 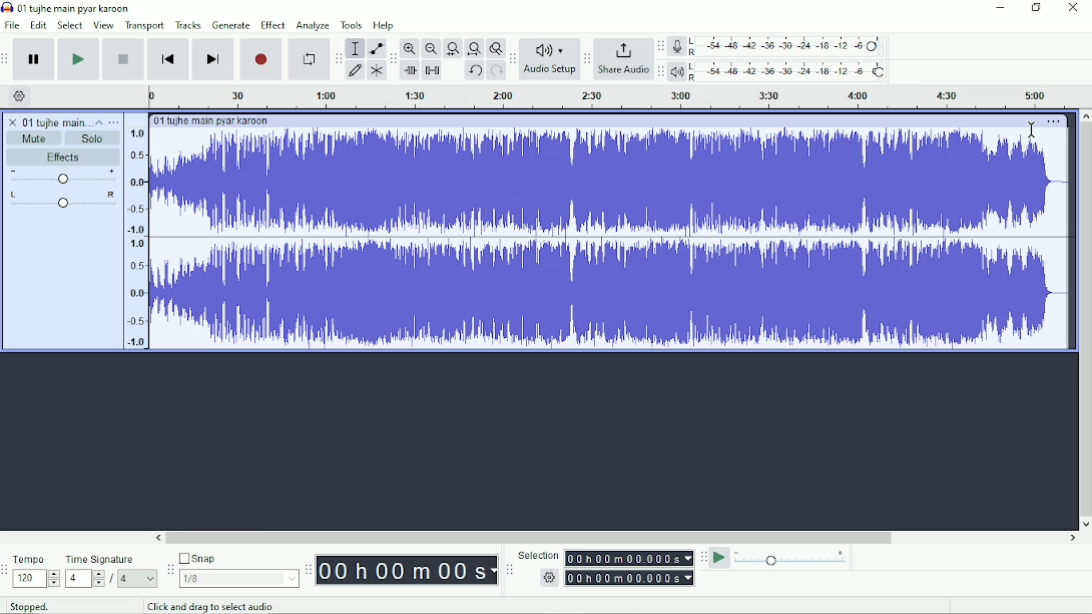 I want to click on Audacity logo, so click(x=7, y=8).